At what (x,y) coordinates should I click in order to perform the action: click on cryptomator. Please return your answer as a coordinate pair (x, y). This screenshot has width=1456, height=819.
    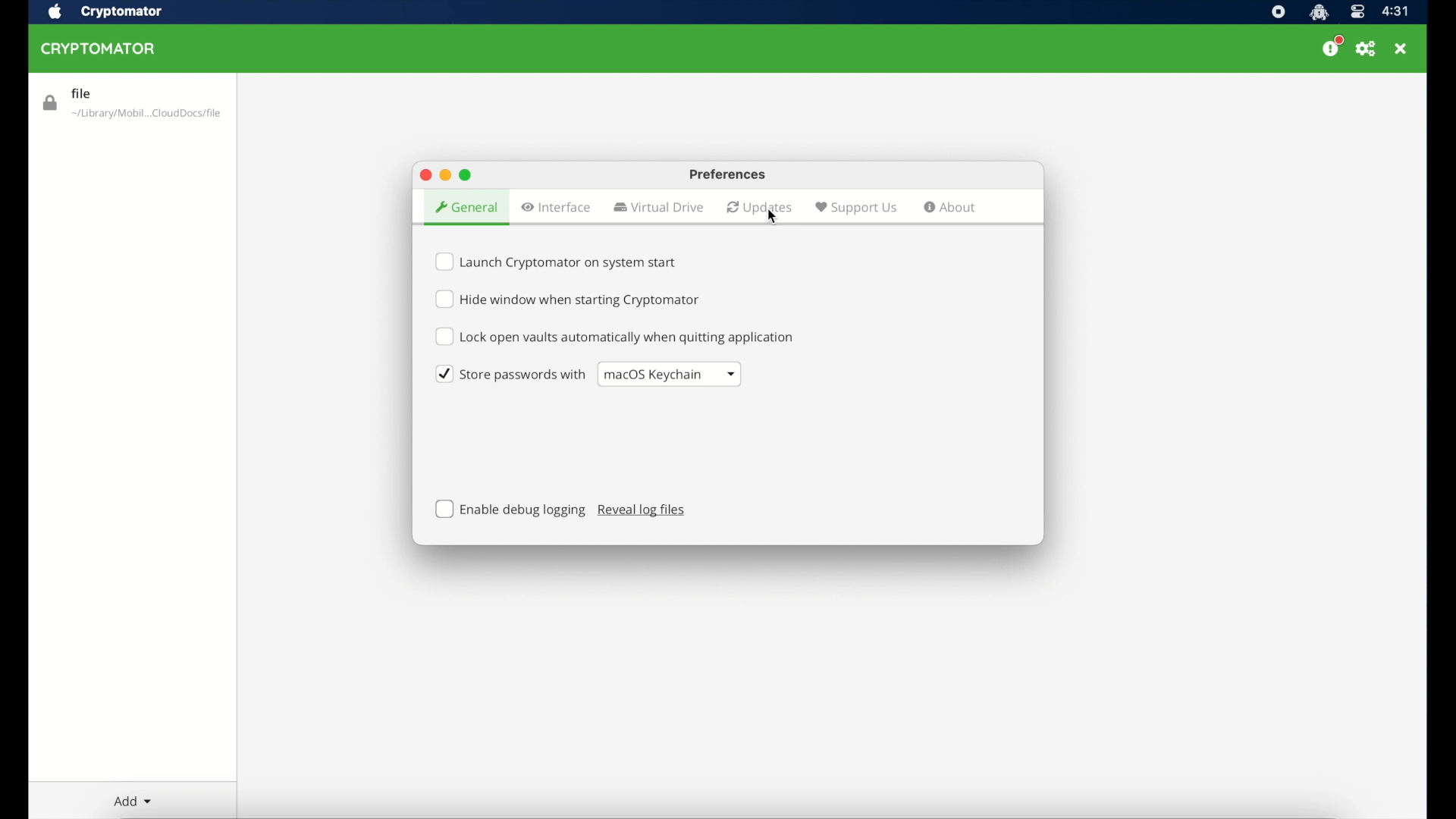
    Looking at the image, I should click on (99, 49).